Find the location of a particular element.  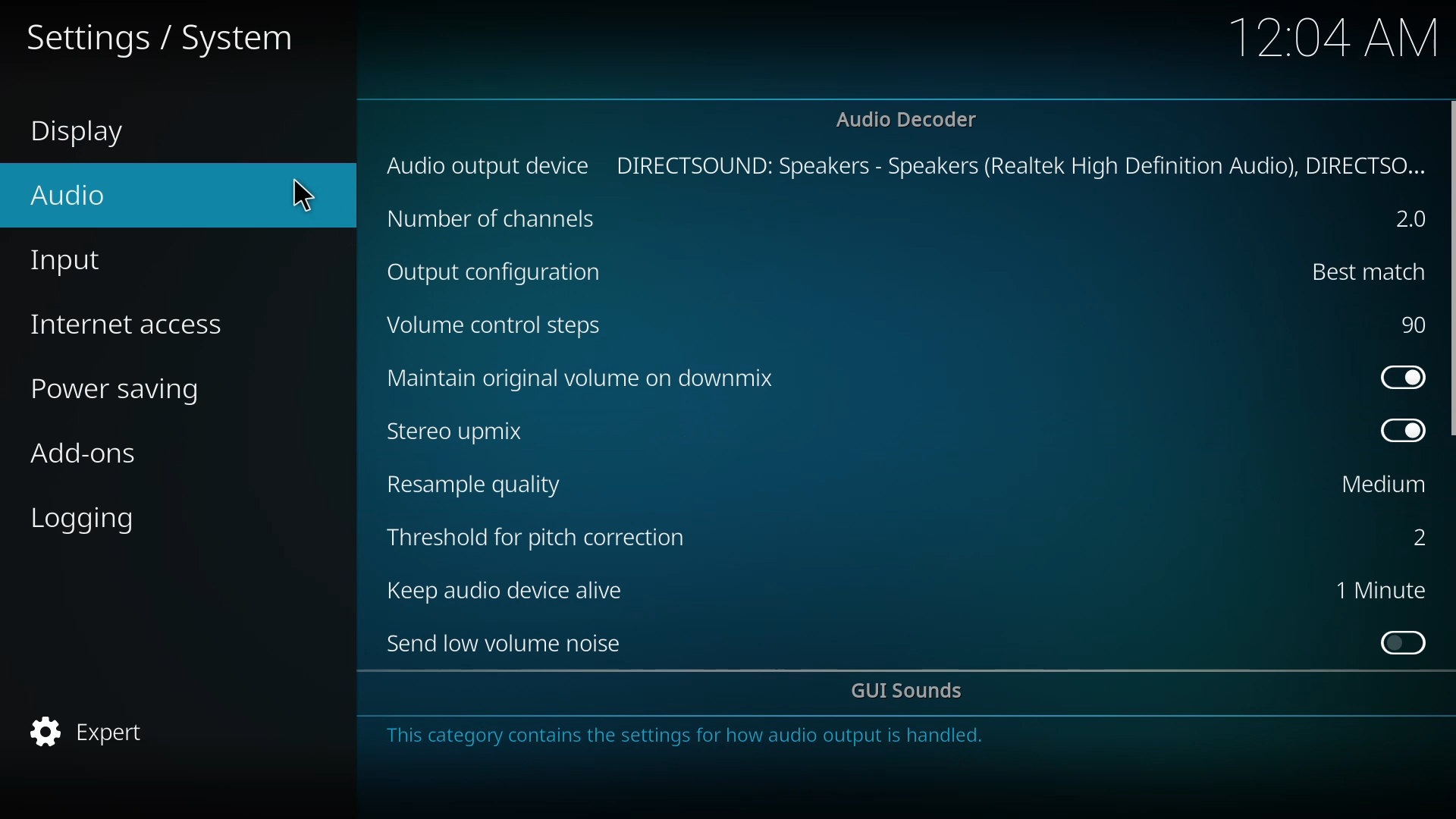

volume control steps is located at coordinates (501, 325).